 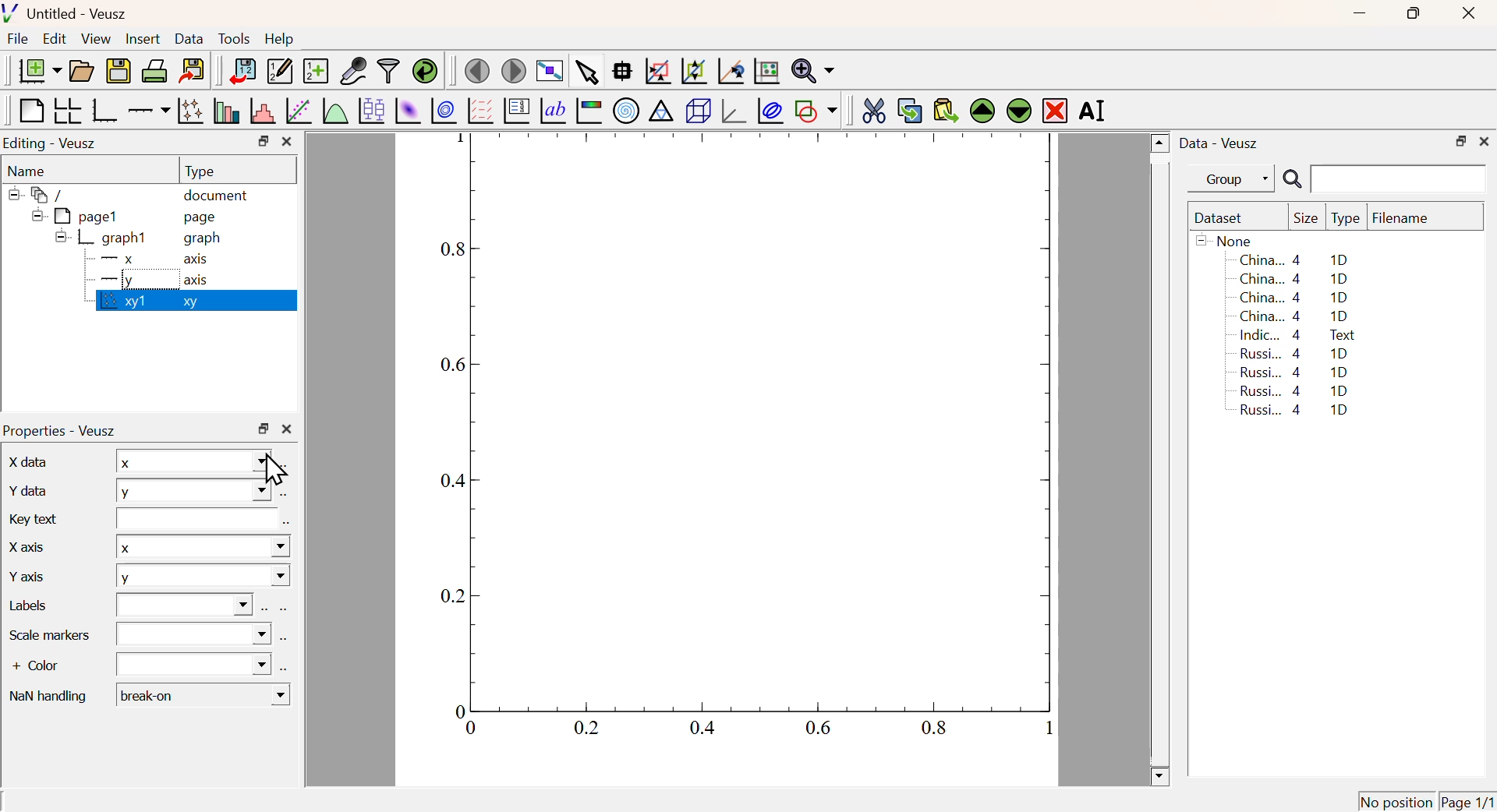 What do you see at coordinates (119, 72) in the screenshot?
I see `Save` at bounding box center [119, 72].